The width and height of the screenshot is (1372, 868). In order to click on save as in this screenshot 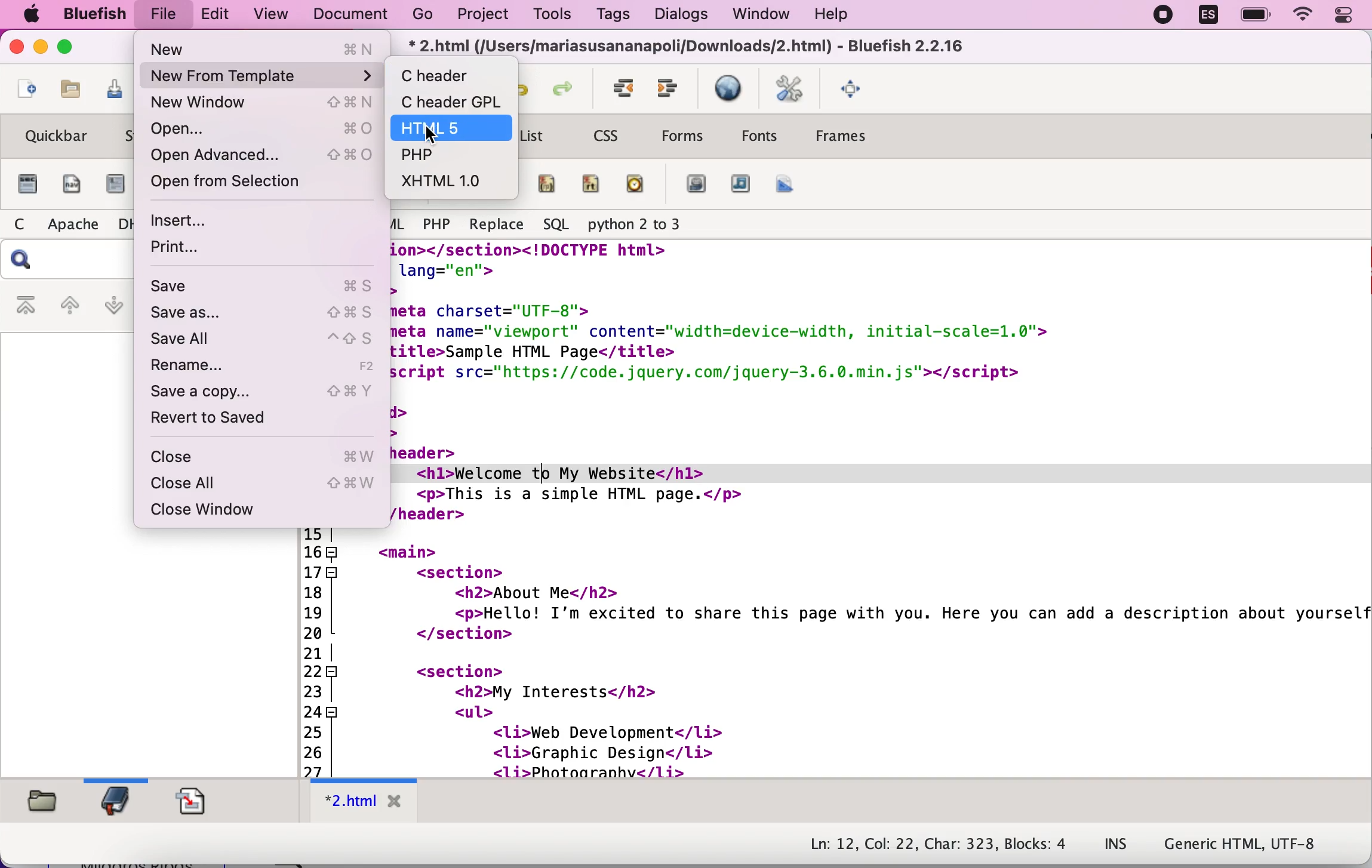, I will do `click(267, 313)`.